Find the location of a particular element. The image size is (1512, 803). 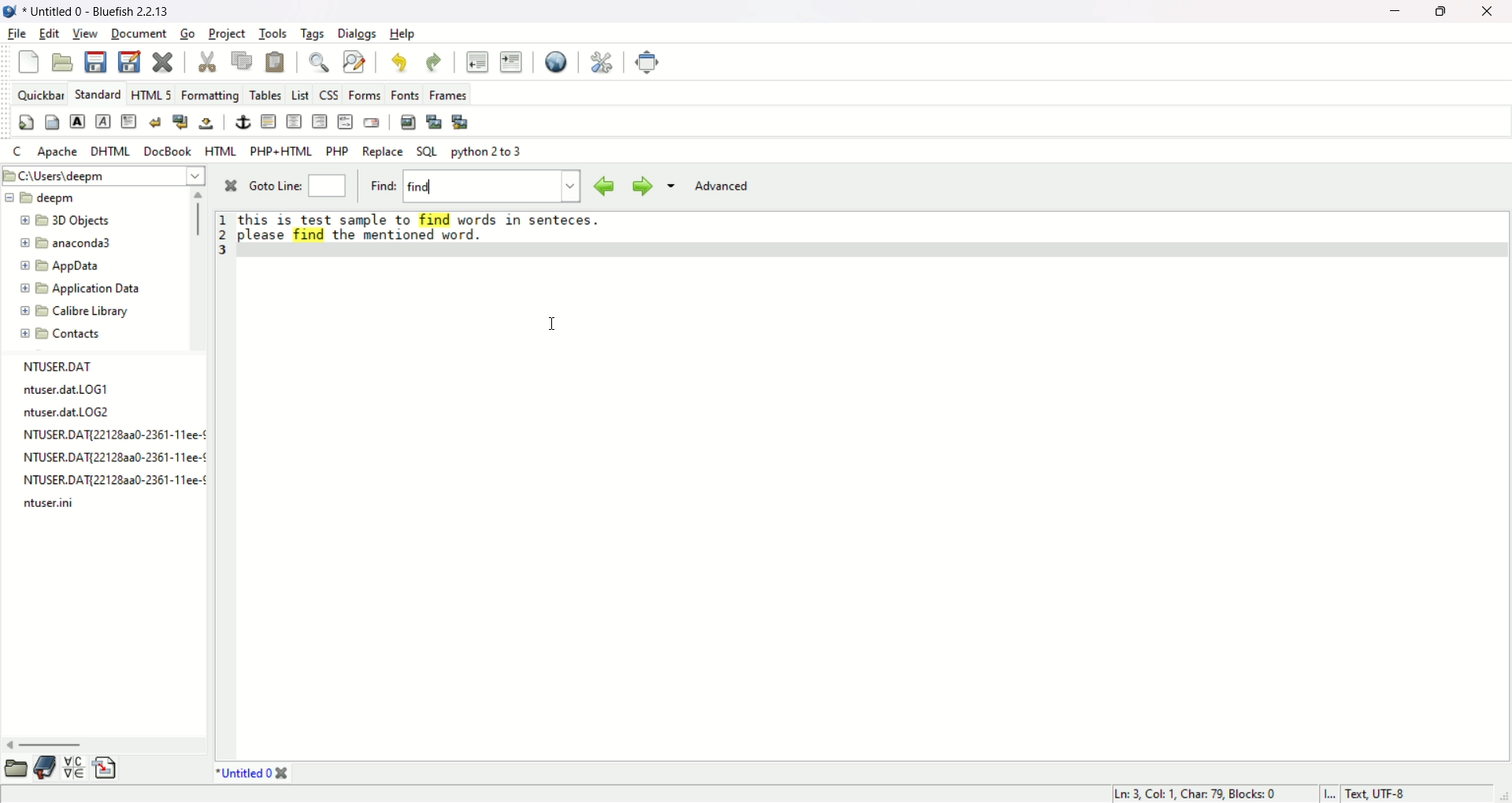

redo is located at coordinates (432, 61).